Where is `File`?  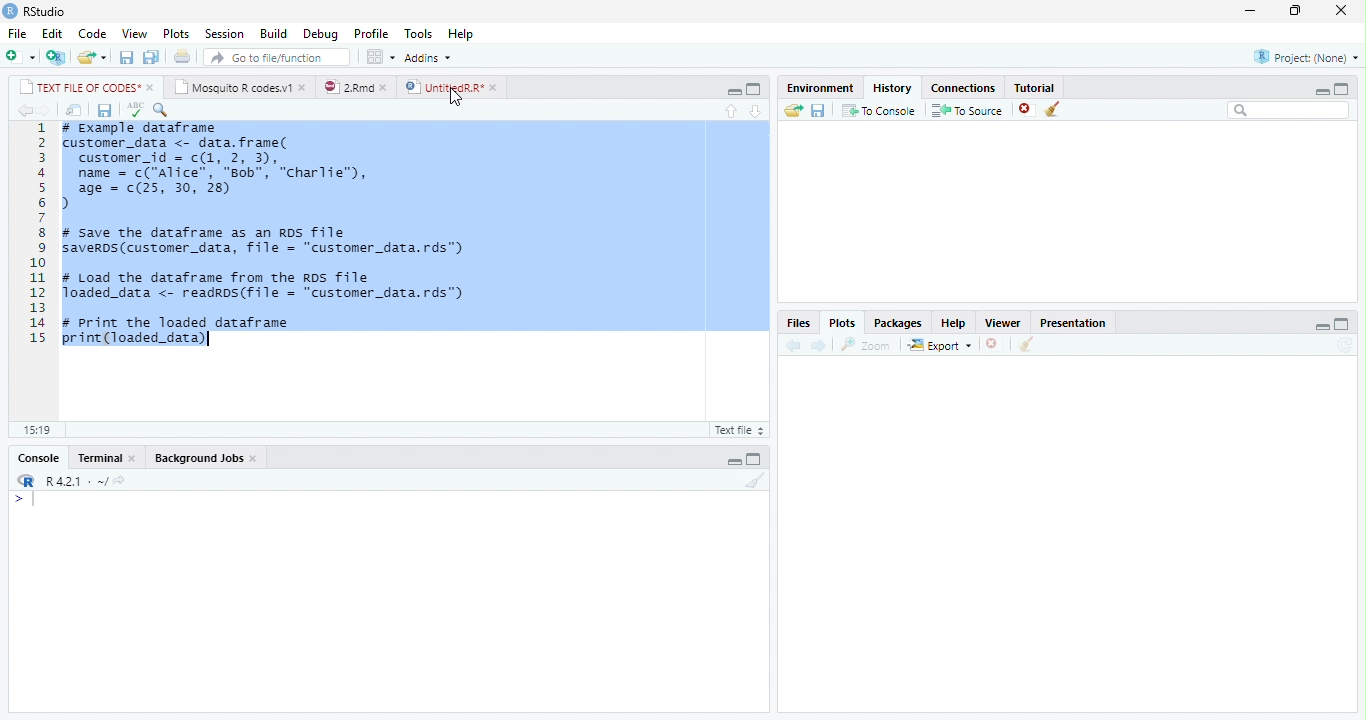 File is located at coordinates (17, 33).